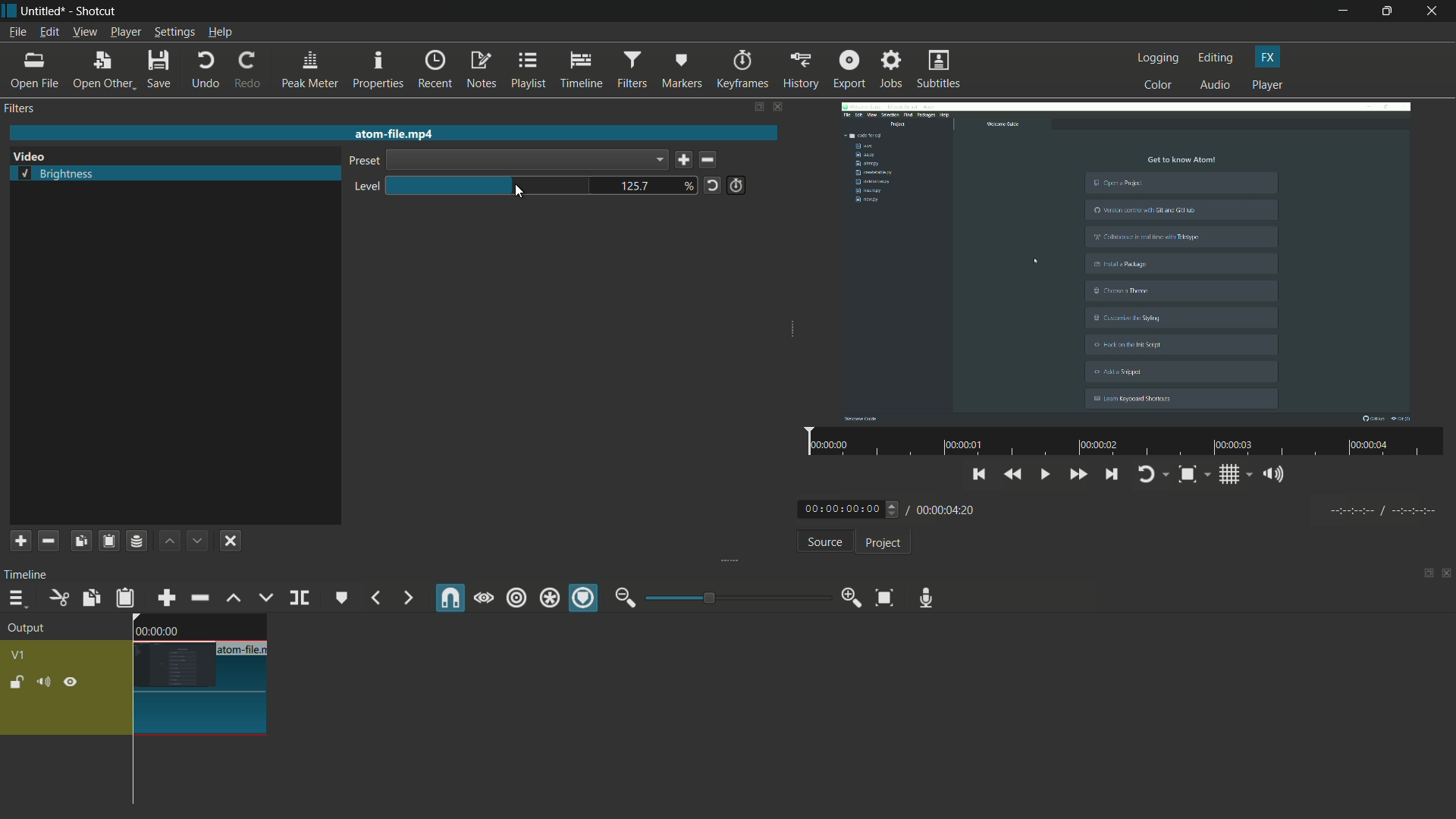 This screenshot has width=1456, height=819. What do you see at coordinates (199, 598) in the screenshot?
I see `ripple delete` at bounding box center [199, 598].